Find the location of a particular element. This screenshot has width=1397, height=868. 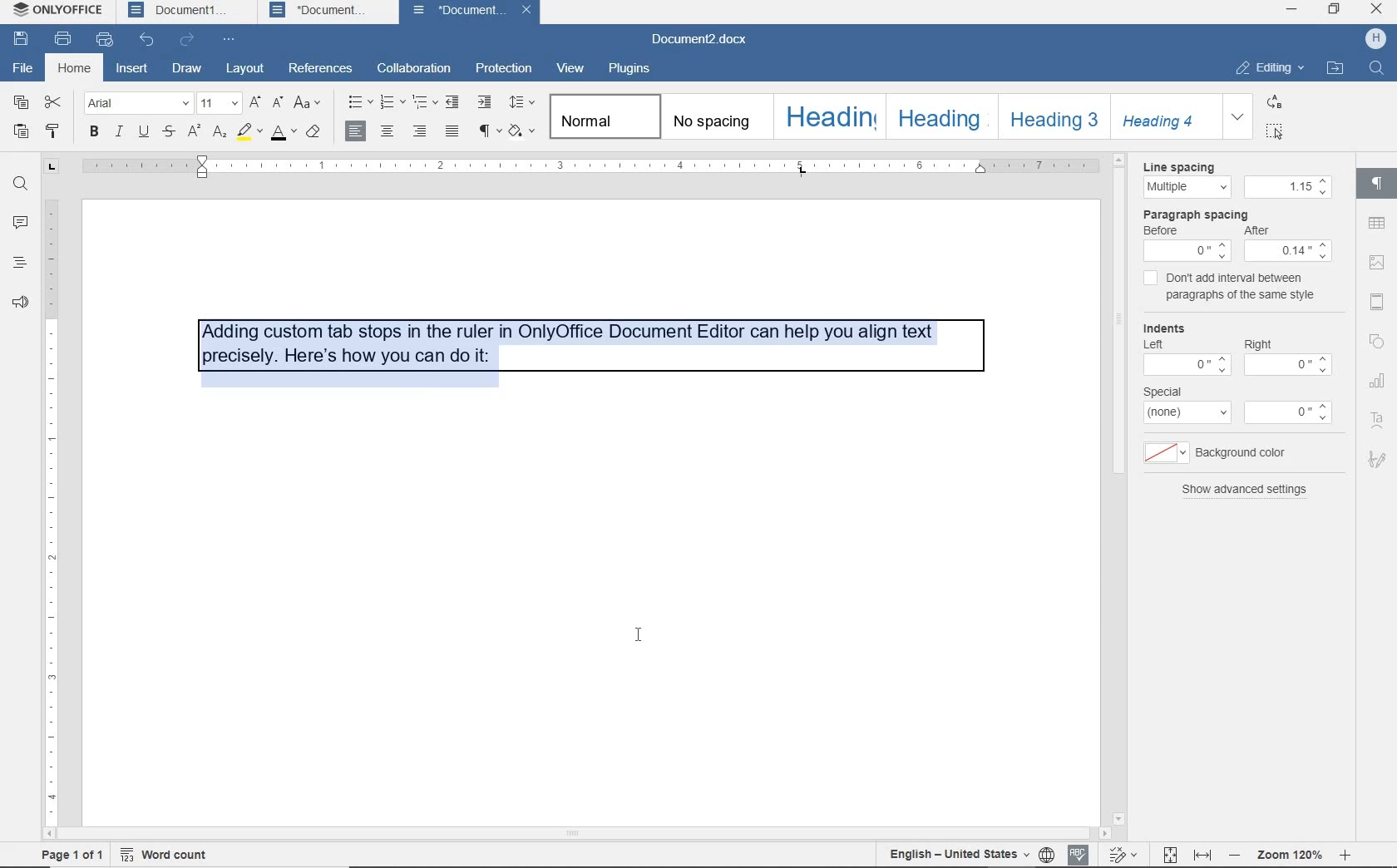

align right is located at coordinates (358, 131).